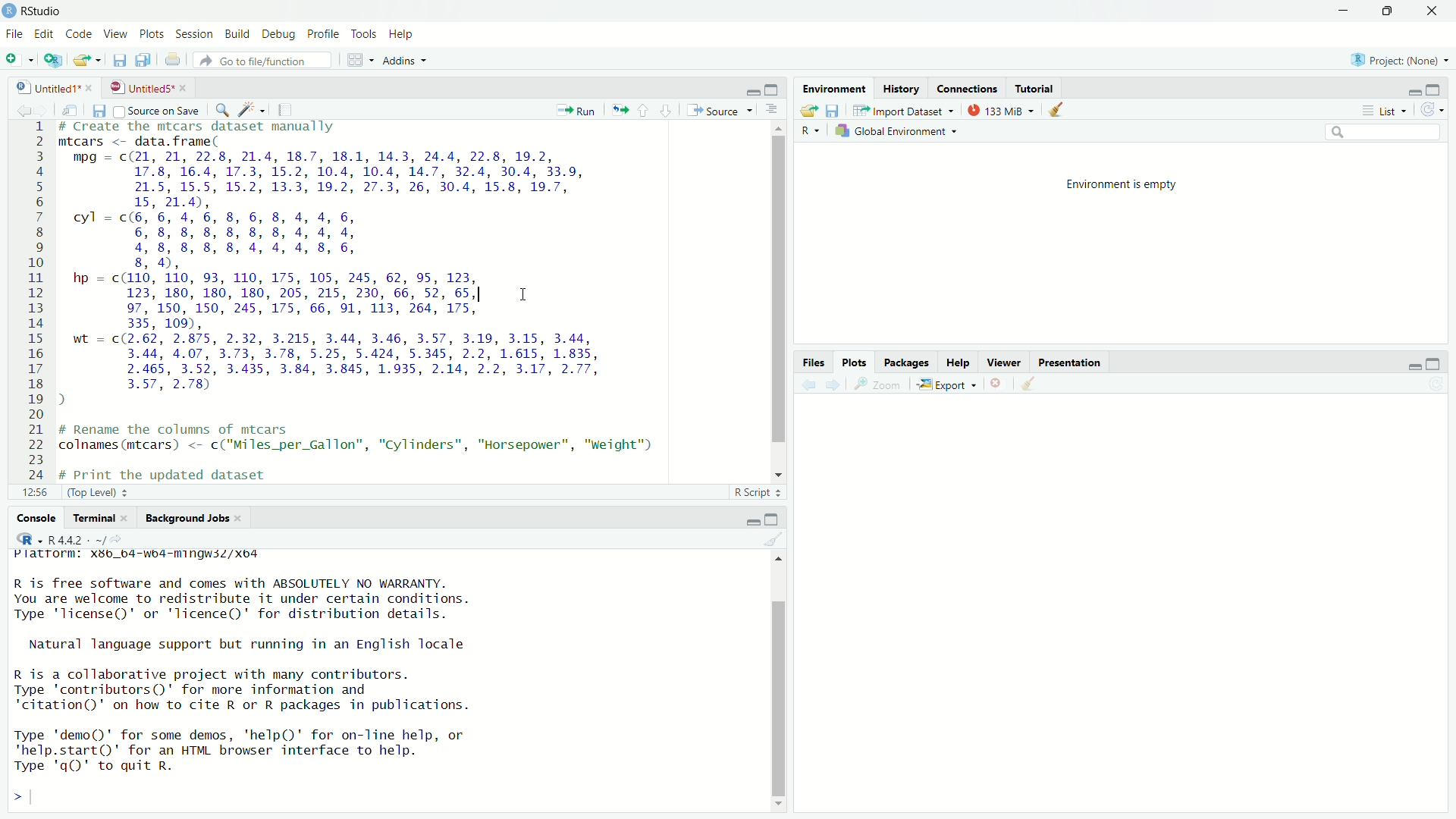 This screenshot has width=1456, height=819. I want to click on scroll bar, so click(785, 685).